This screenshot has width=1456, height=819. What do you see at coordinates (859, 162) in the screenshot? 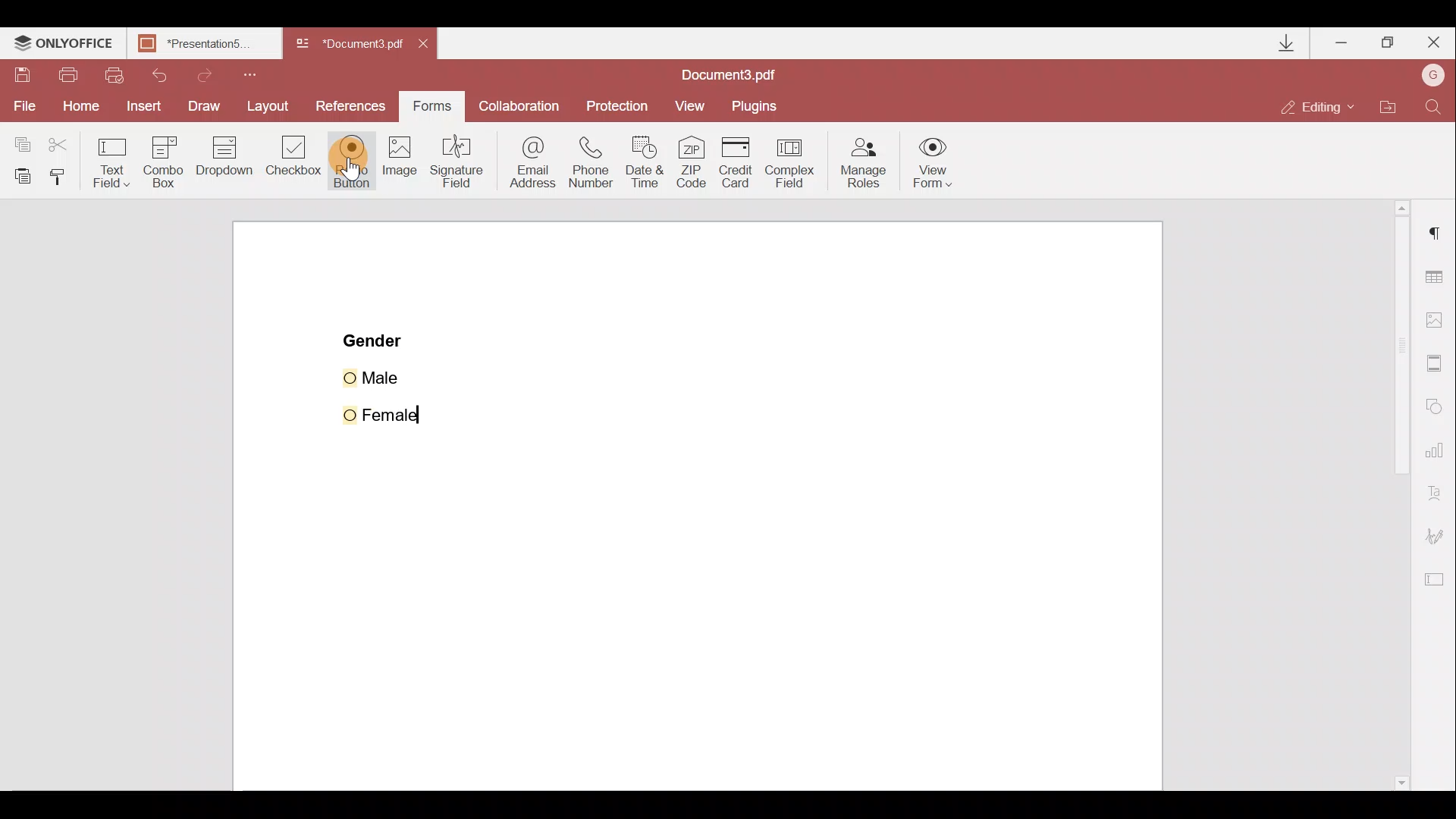
I see `Manage roles` at bounding box center [859, 162].